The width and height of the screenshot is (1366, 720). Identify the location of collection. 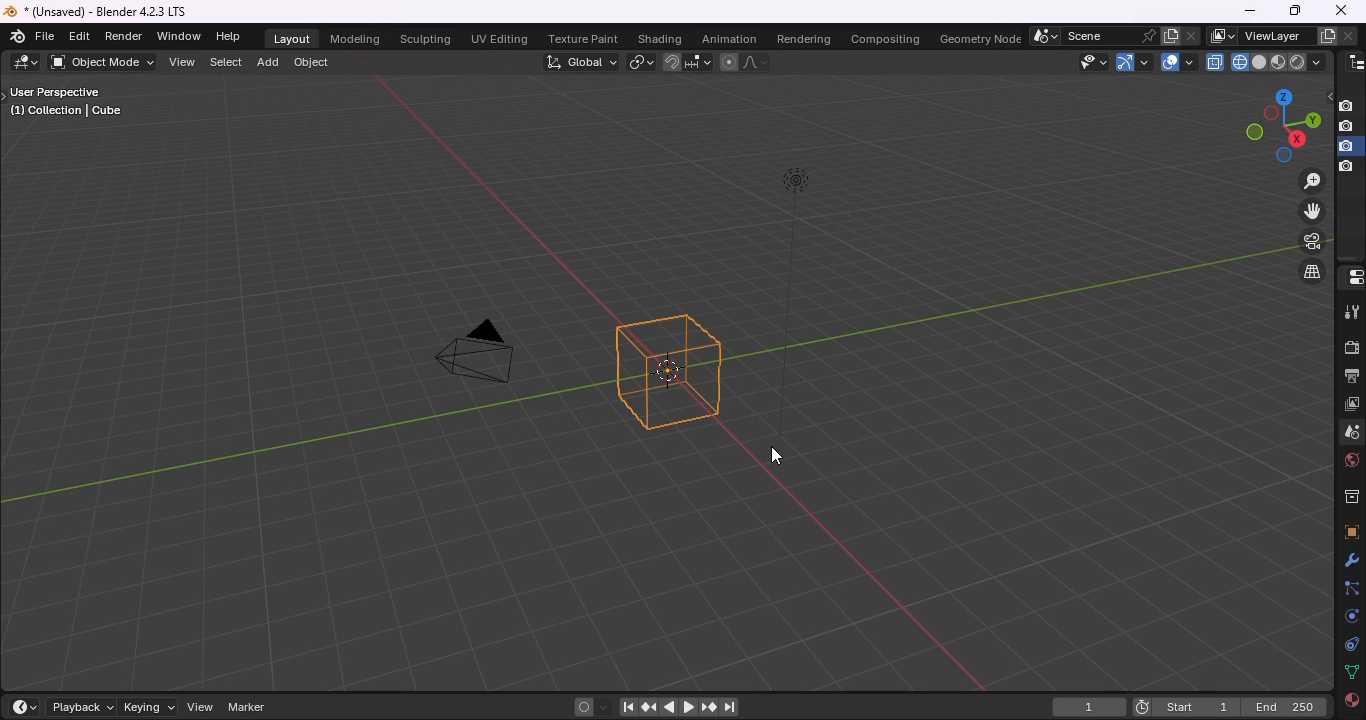
(1350, 495).